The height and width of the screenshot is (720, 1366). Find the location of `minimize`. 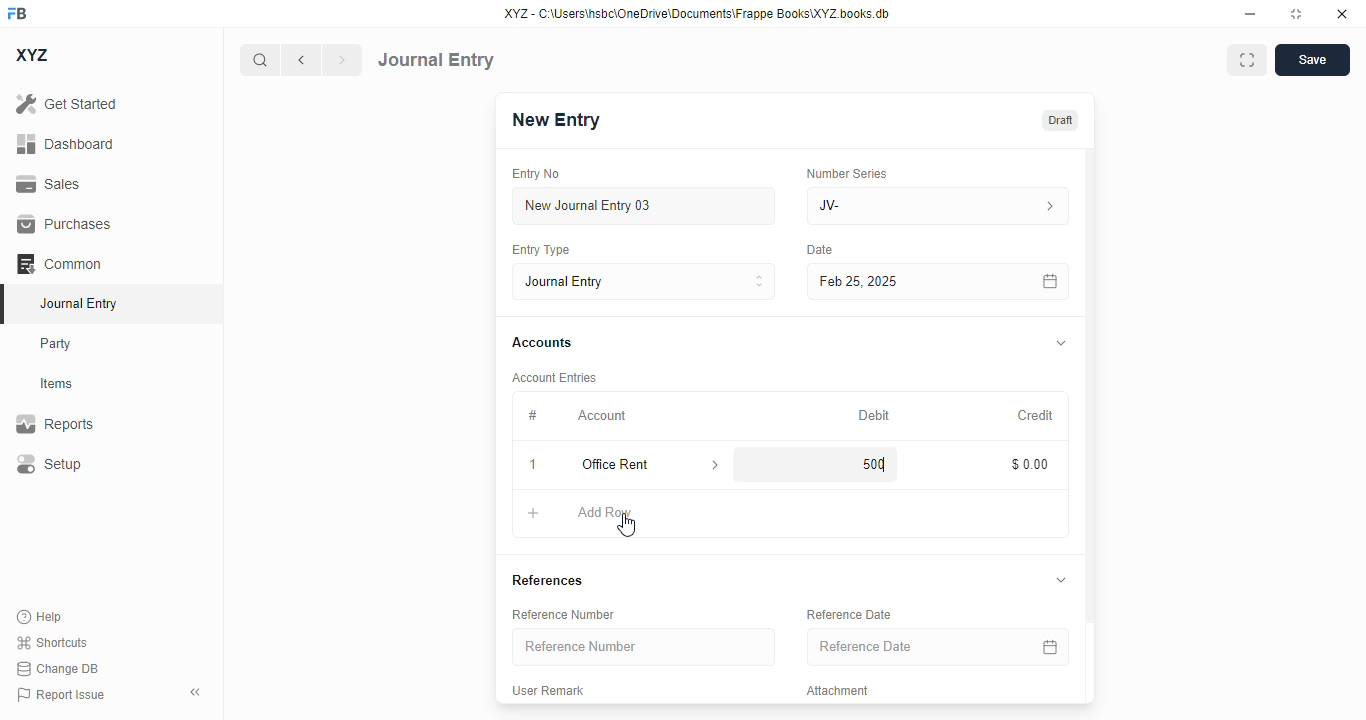

minimize is located at coordinates (1251, 13).